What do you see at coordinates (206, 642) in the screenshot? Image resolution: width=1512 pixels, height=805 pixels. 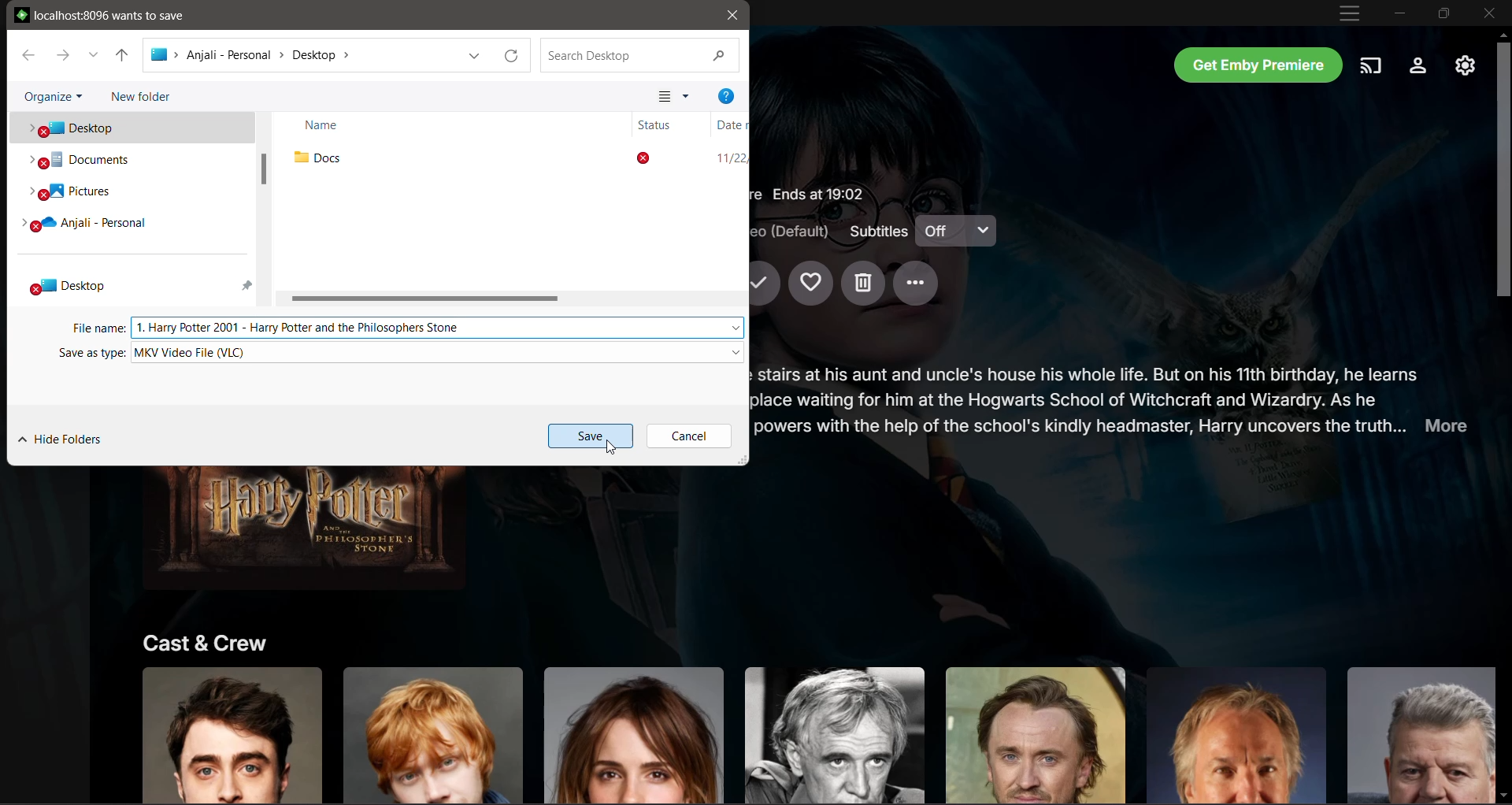 I see `Cast and Crew` at bounding box center [206, 642].